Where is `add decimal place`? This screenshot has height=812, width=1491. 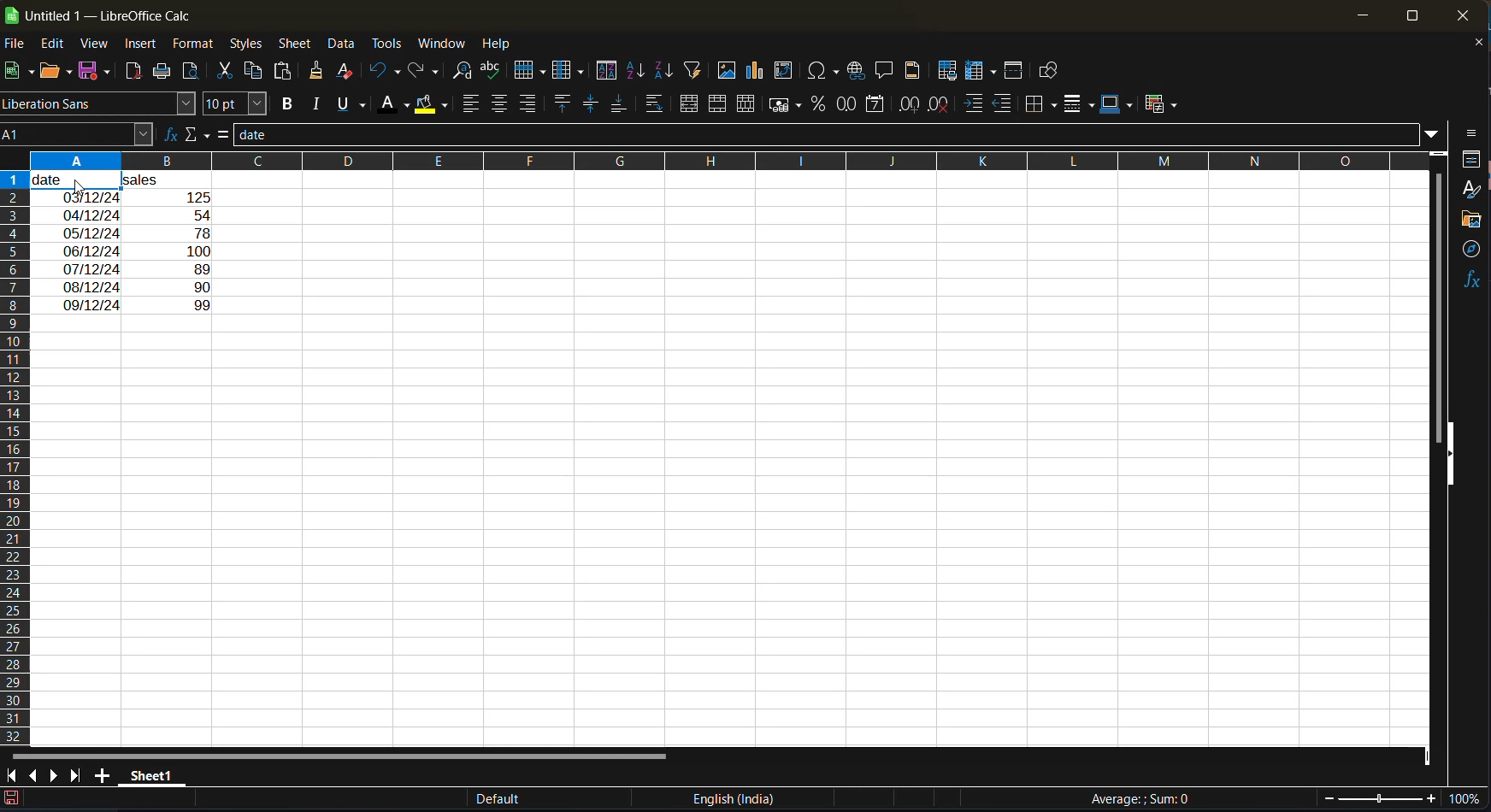
add decimal place is located at coordinates (911, 106).